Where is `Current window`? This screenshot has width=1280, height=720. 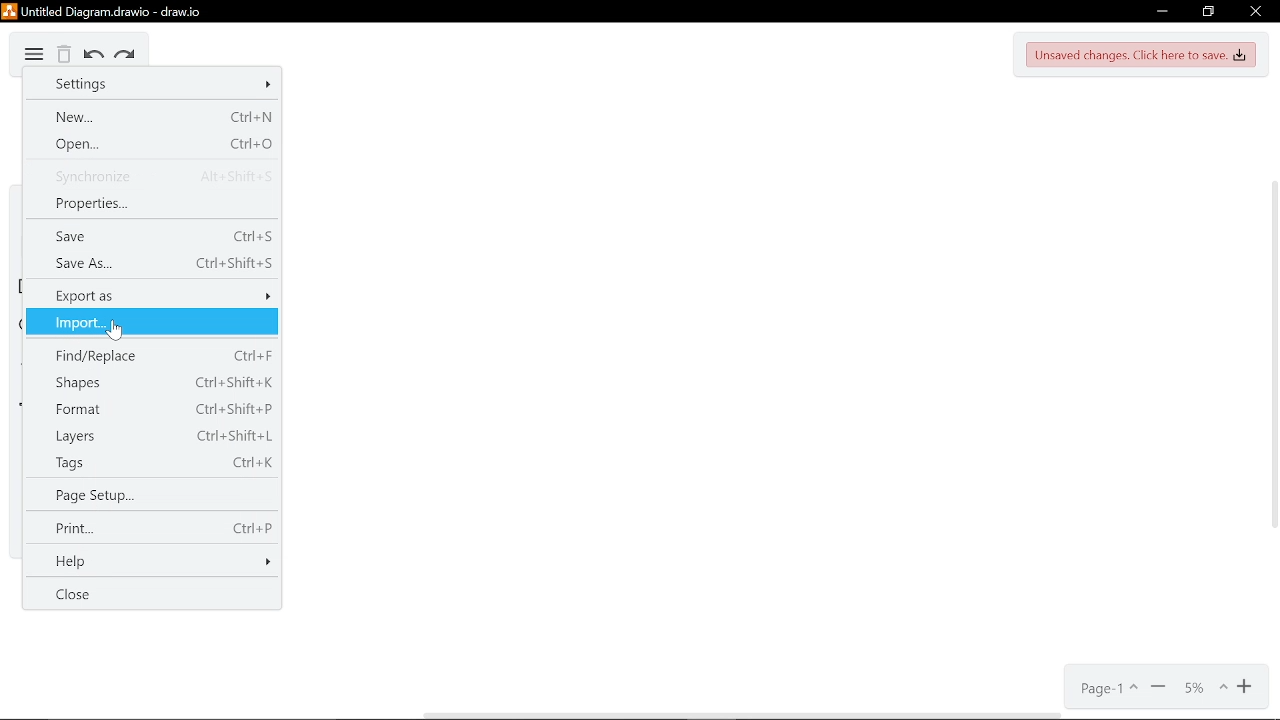
Current window is located at coordinates (118, 11).